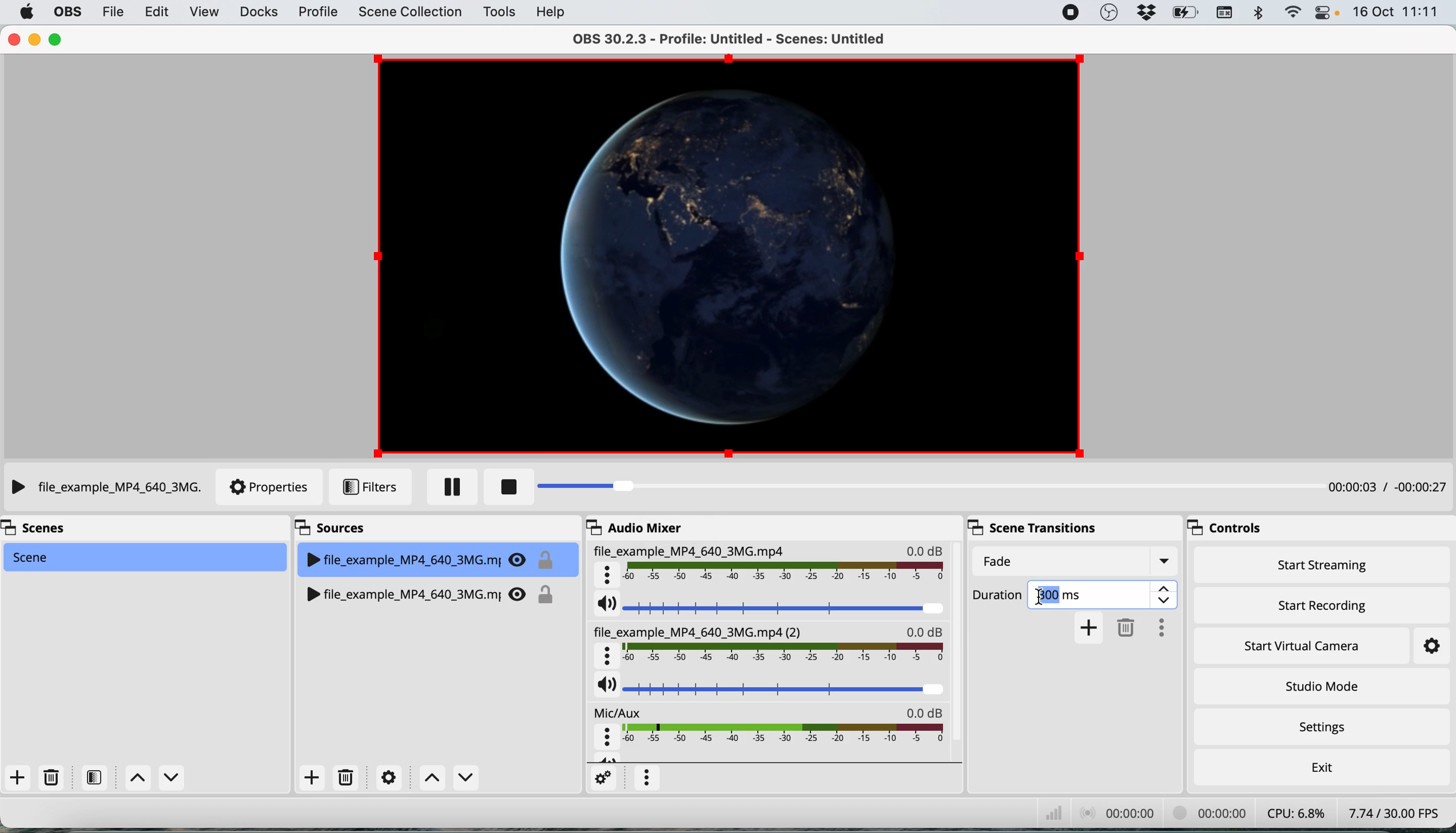 The height and width of the screenshot is (833, 1456). Describe the element at coordinates (1391, 813) in the screenshot. I see `frames per second` at that location.